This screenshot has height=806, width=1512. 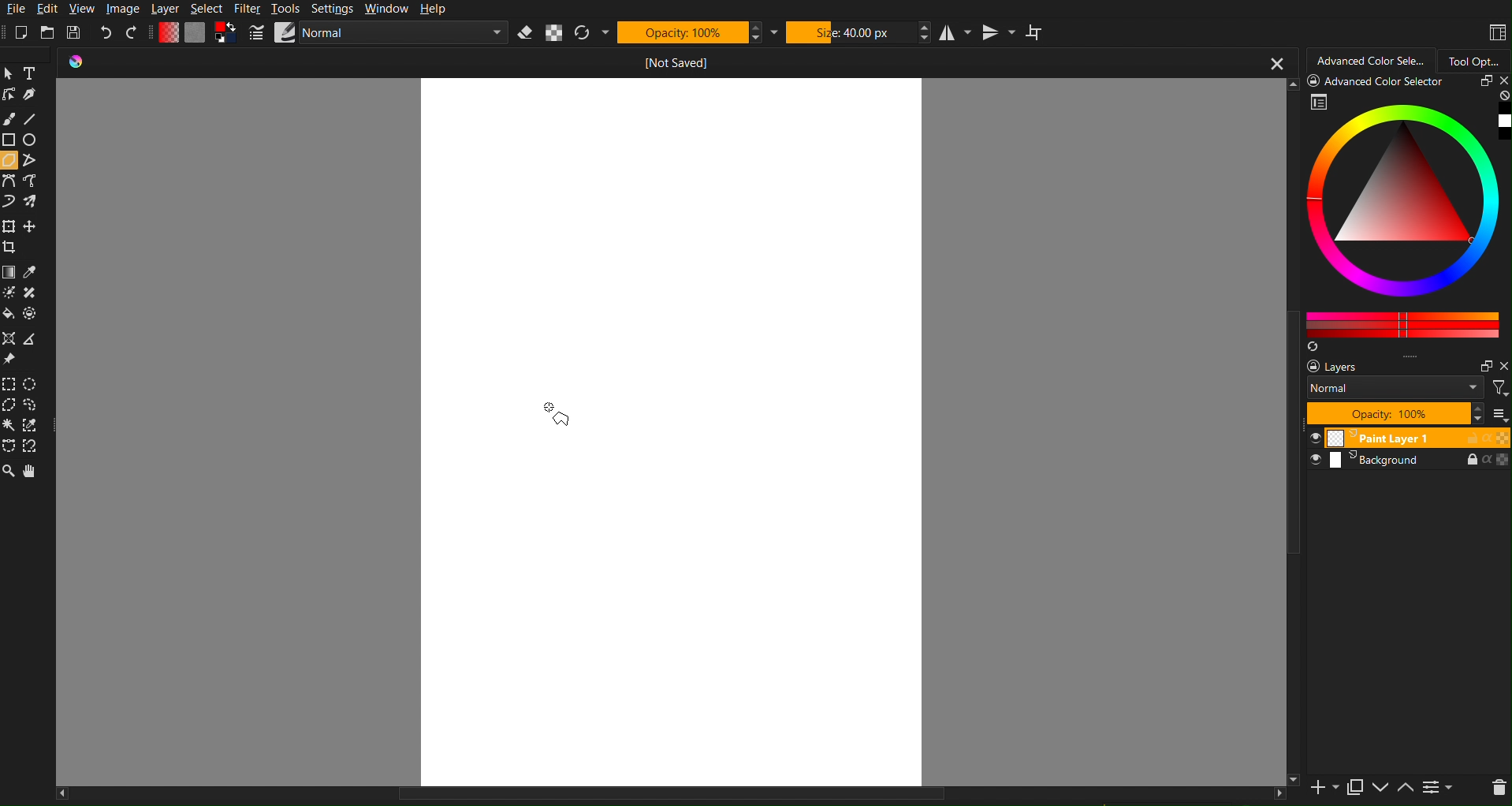 I want to click on dynamic brush tool, so click(x=9, y=203).